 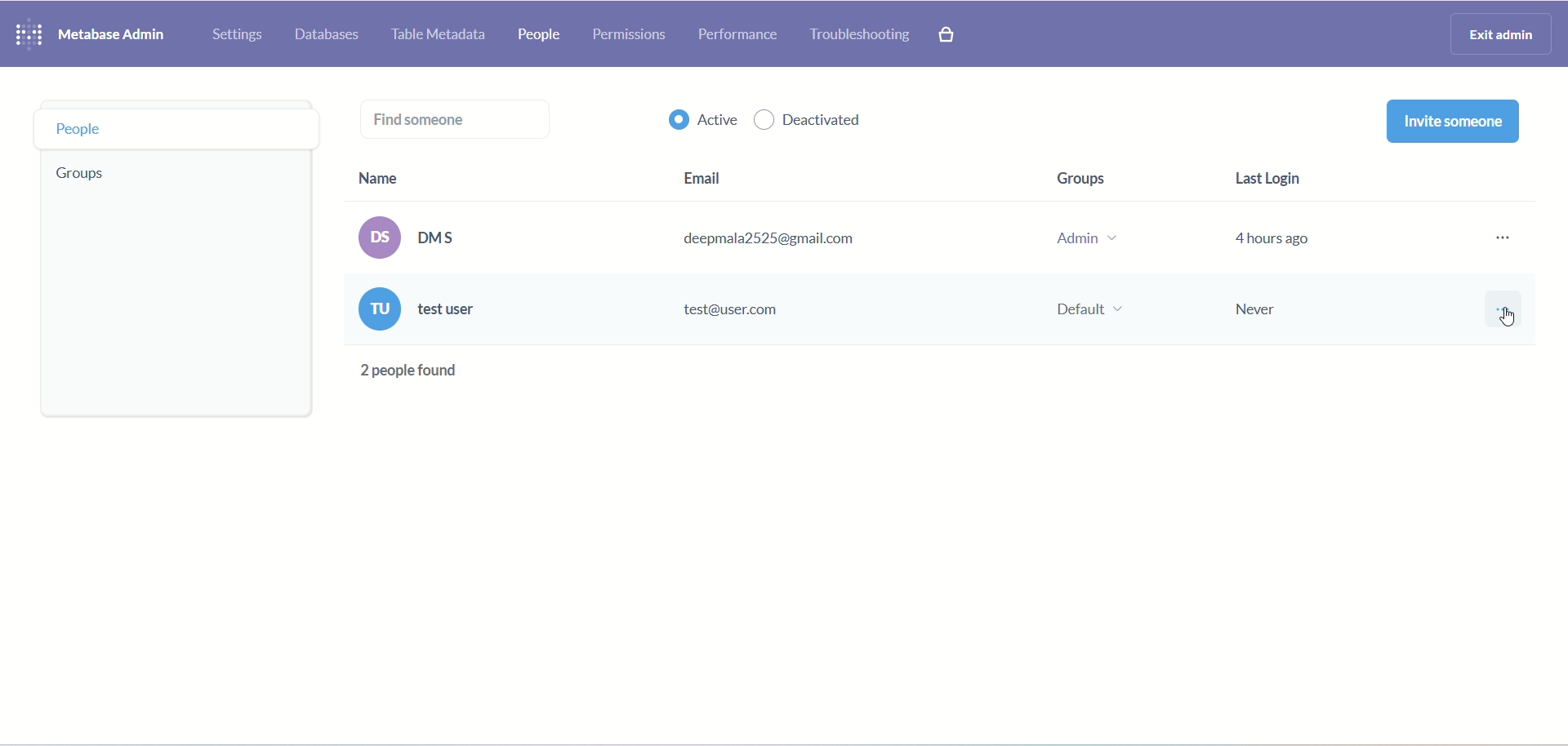 I want to click on performance, so click(x=741, y=37).